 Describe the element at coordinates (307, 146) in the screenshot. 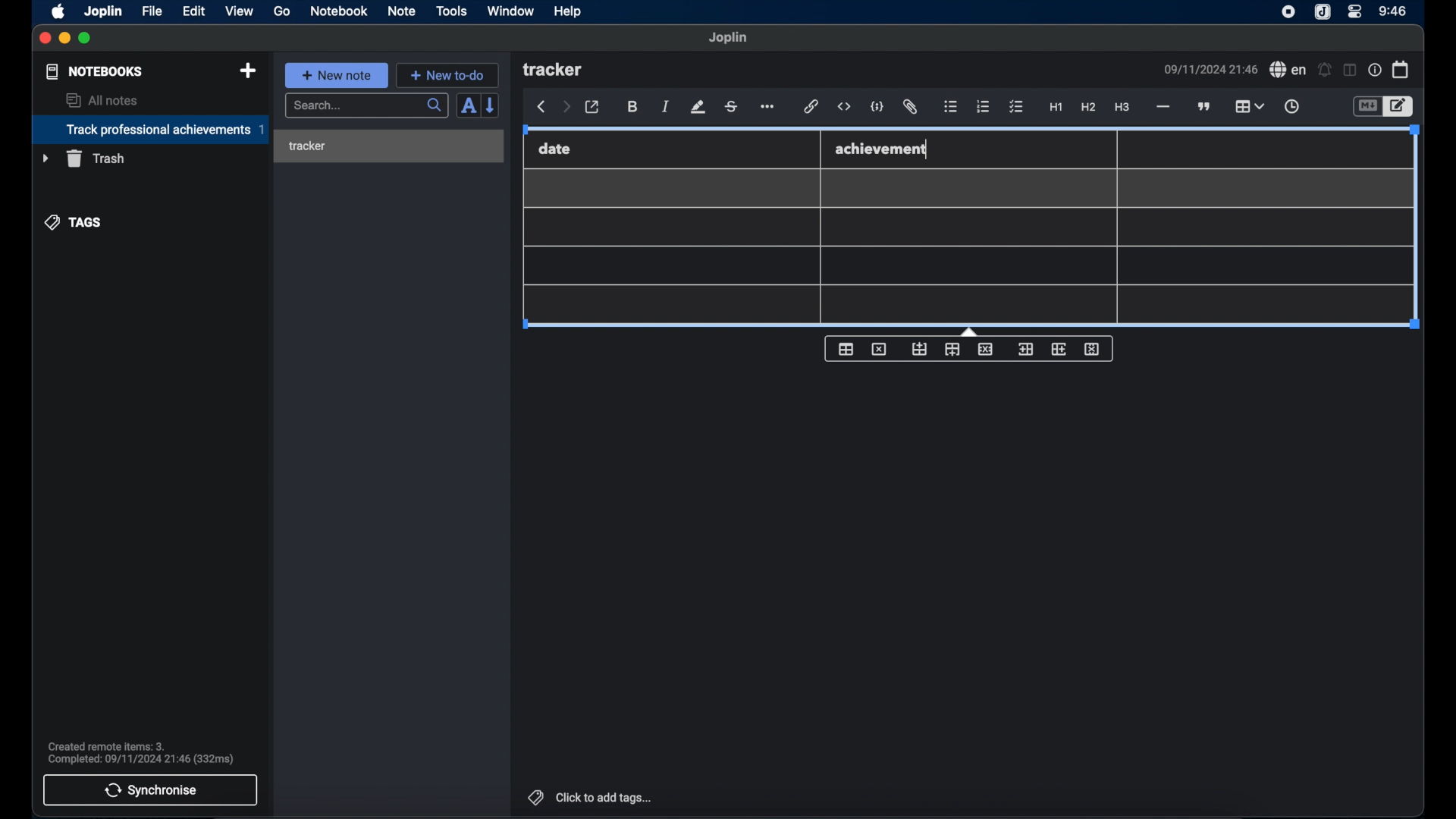

I see `tracker` at that location.